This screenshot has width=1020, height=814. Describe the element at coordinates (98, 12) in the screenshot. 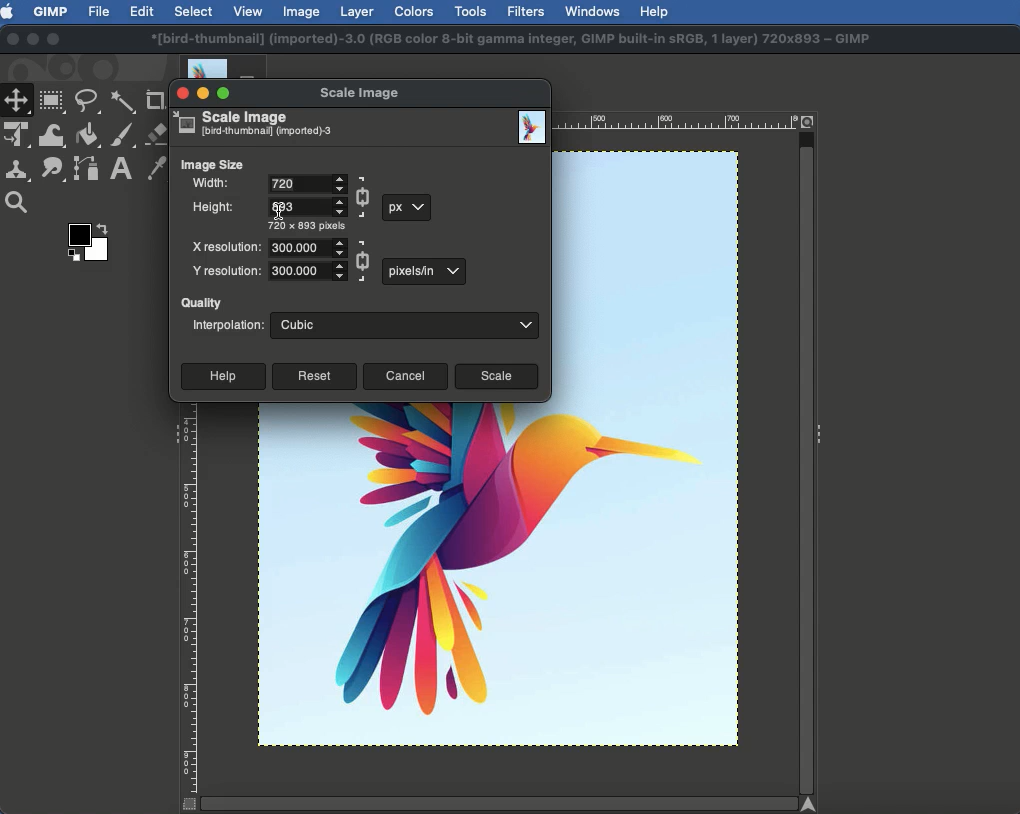

I see `File` at that location.